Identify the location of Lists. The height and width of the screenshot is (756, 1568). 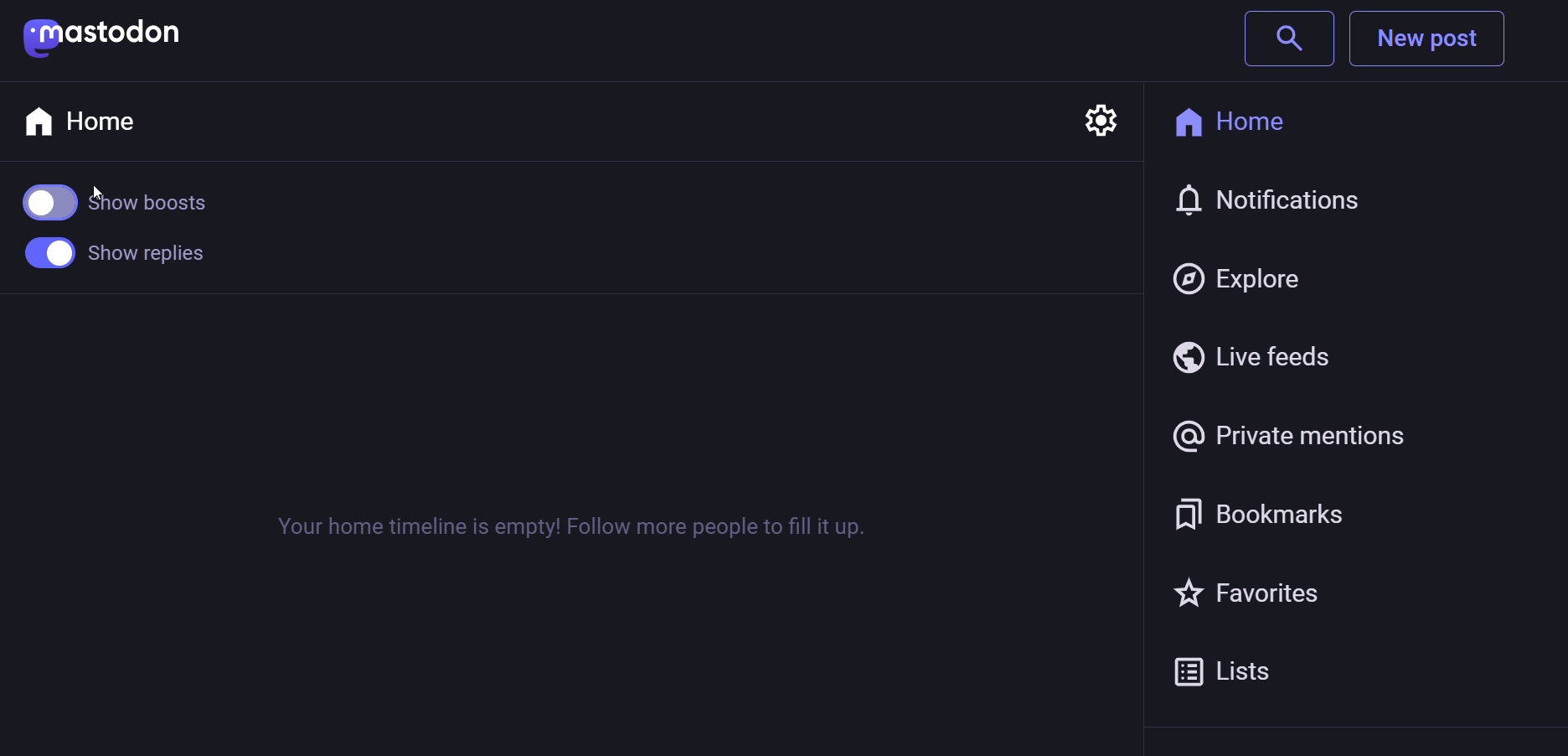
(1261, 672).